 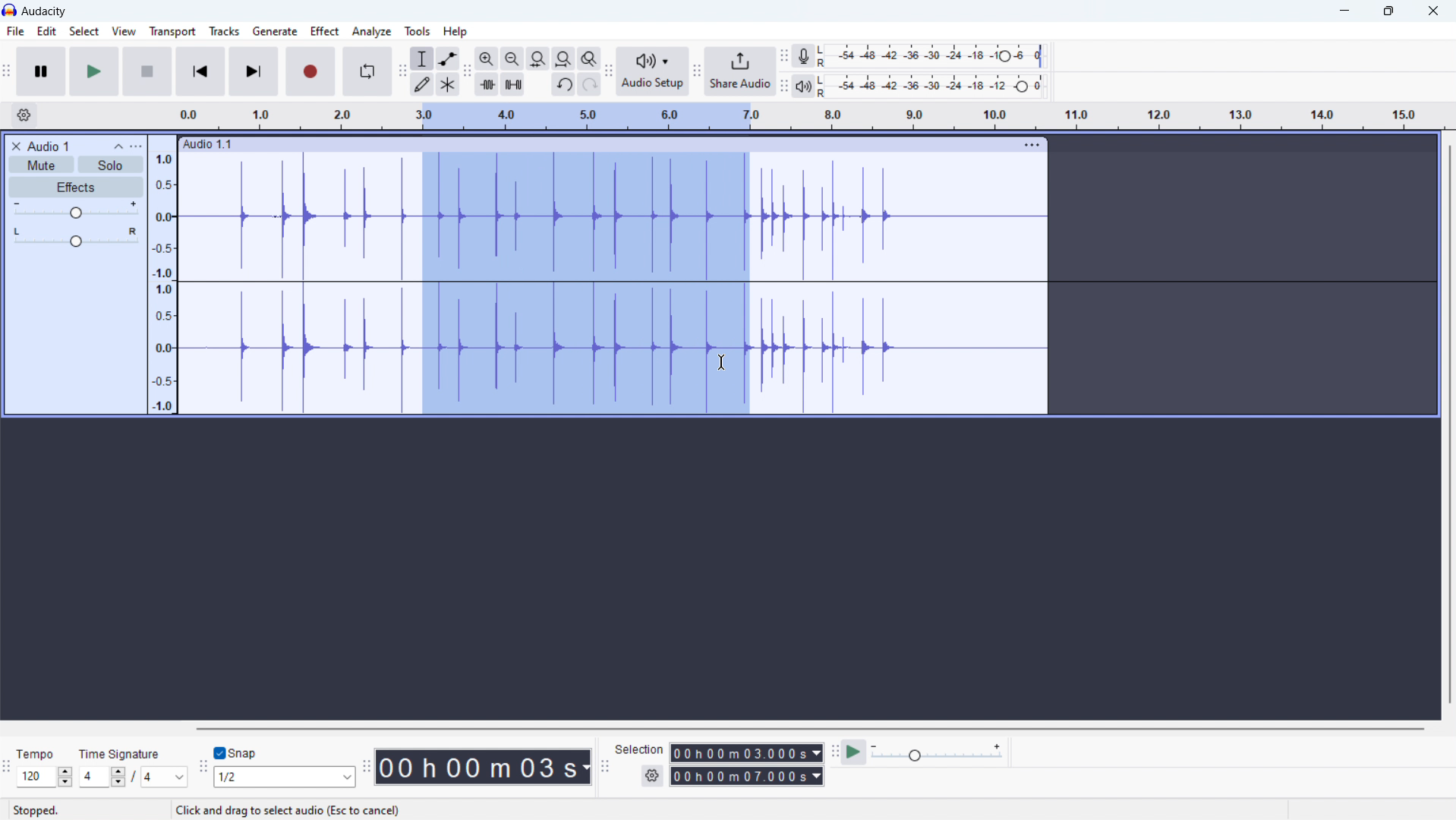 I want to click on amplitude, so click(x=162, y=274).